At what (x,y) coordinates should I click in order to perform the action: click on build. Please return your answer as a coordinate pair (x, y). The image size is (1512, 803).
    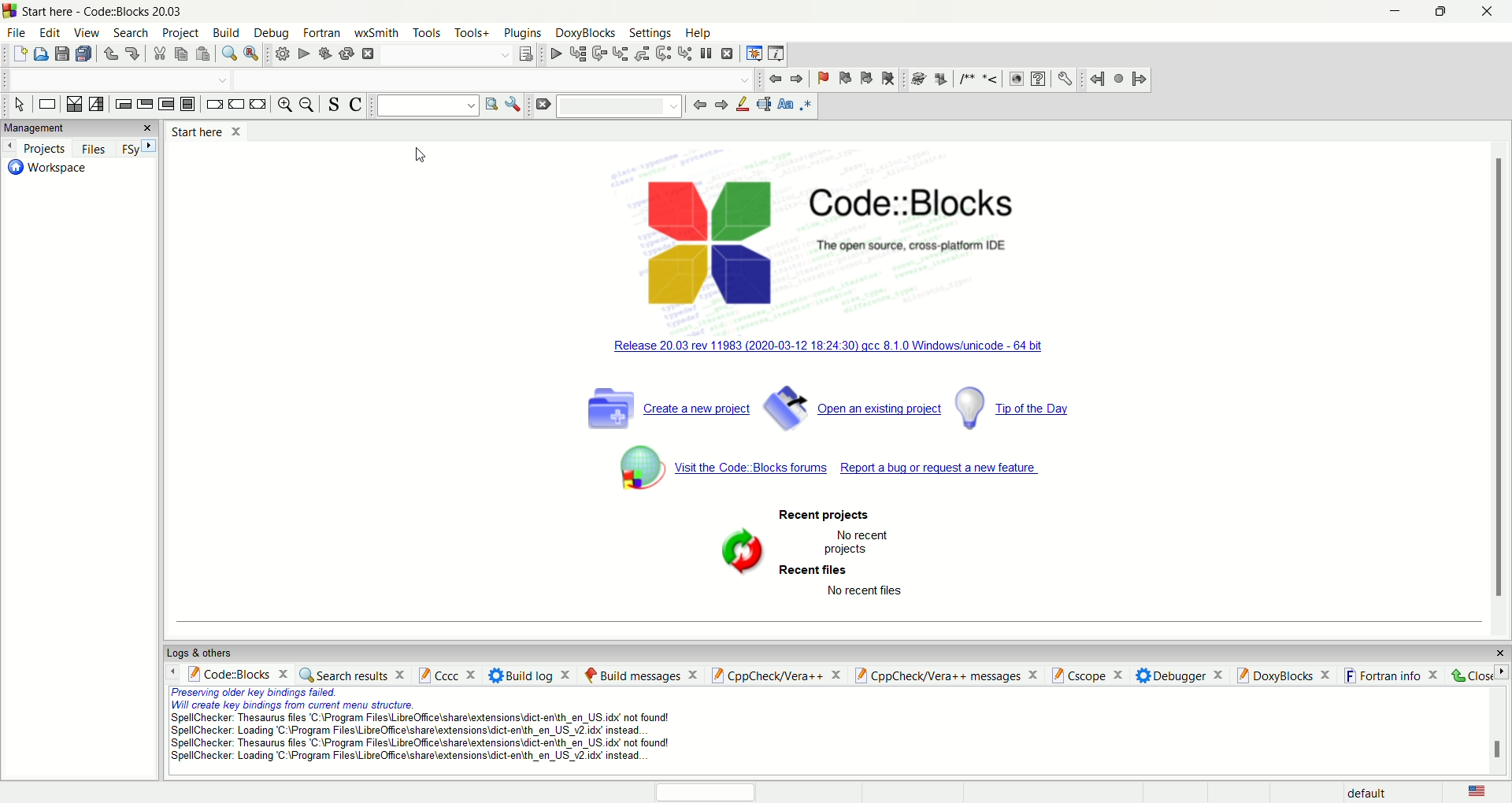
    Looking at the image, I should click on (281, 55).